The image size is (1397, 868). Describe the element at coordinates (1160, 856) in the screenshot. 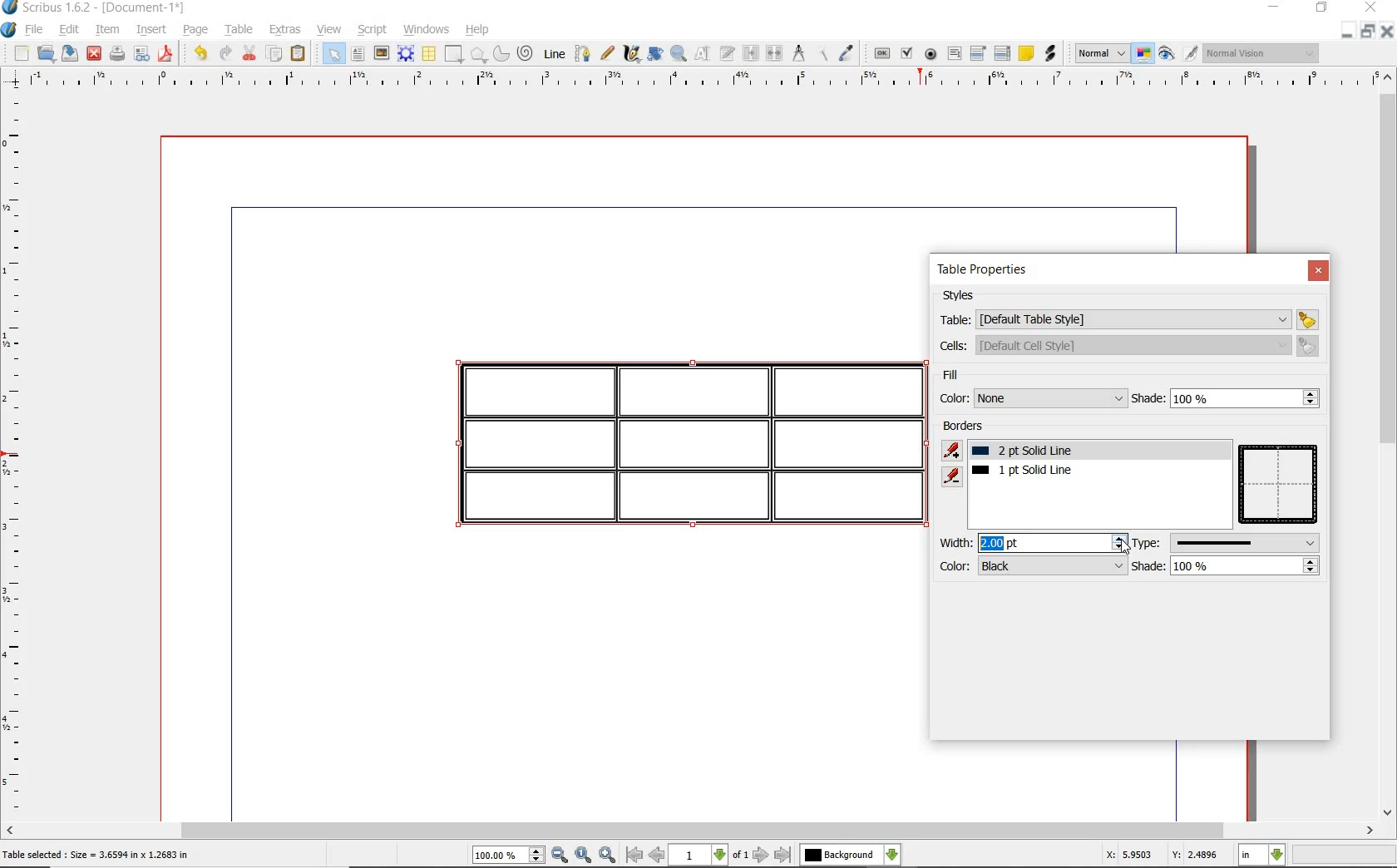

I see `X: 5.9503 Y: 2.4896` at that location.